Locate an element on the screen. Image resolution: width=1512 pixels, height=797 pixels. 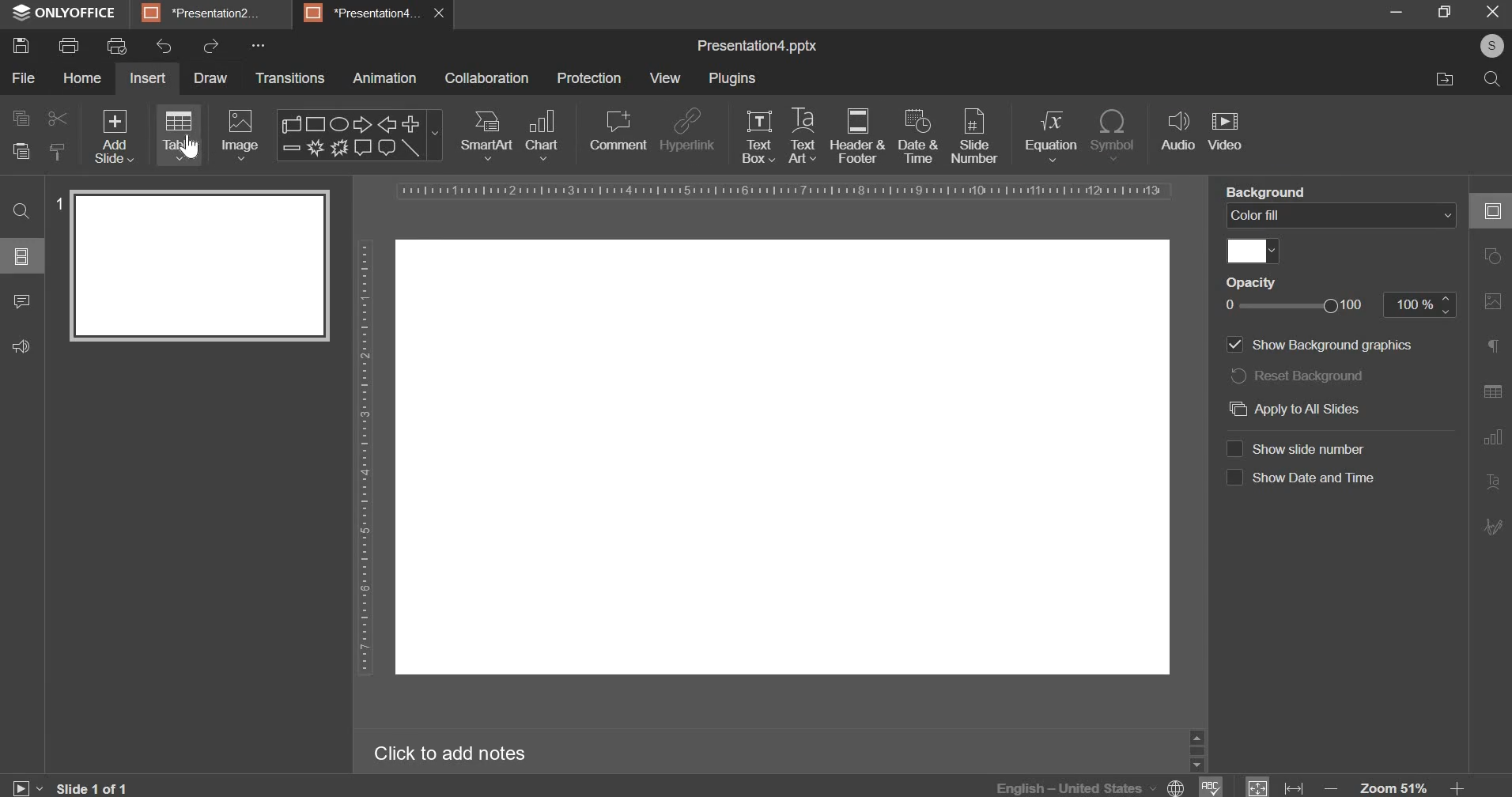
zoom is located at coordinates (1394, 788).